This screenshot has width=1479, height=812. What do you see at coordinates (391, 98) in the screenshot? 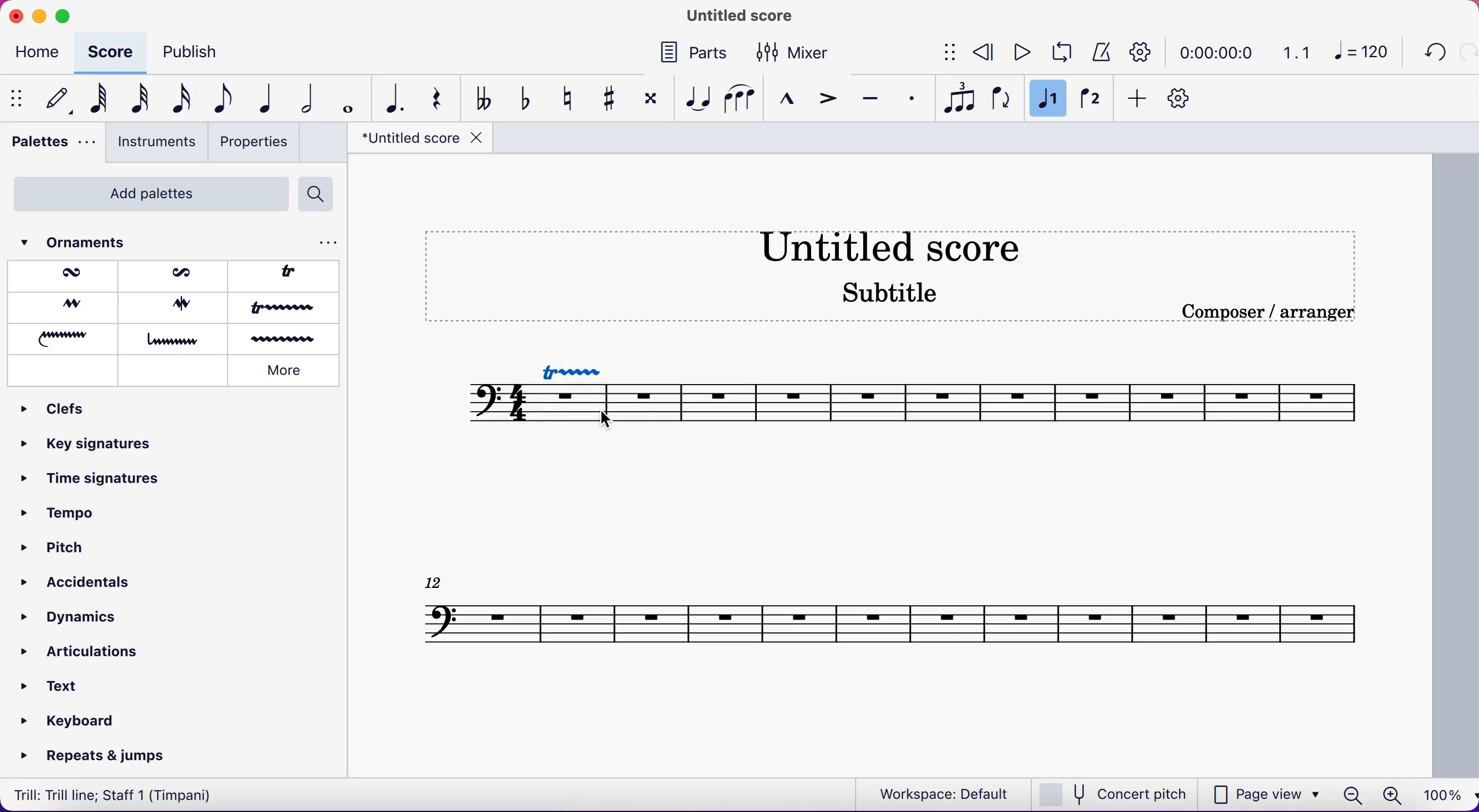
I see `augmentation dot` at bounding box center [391, 98].